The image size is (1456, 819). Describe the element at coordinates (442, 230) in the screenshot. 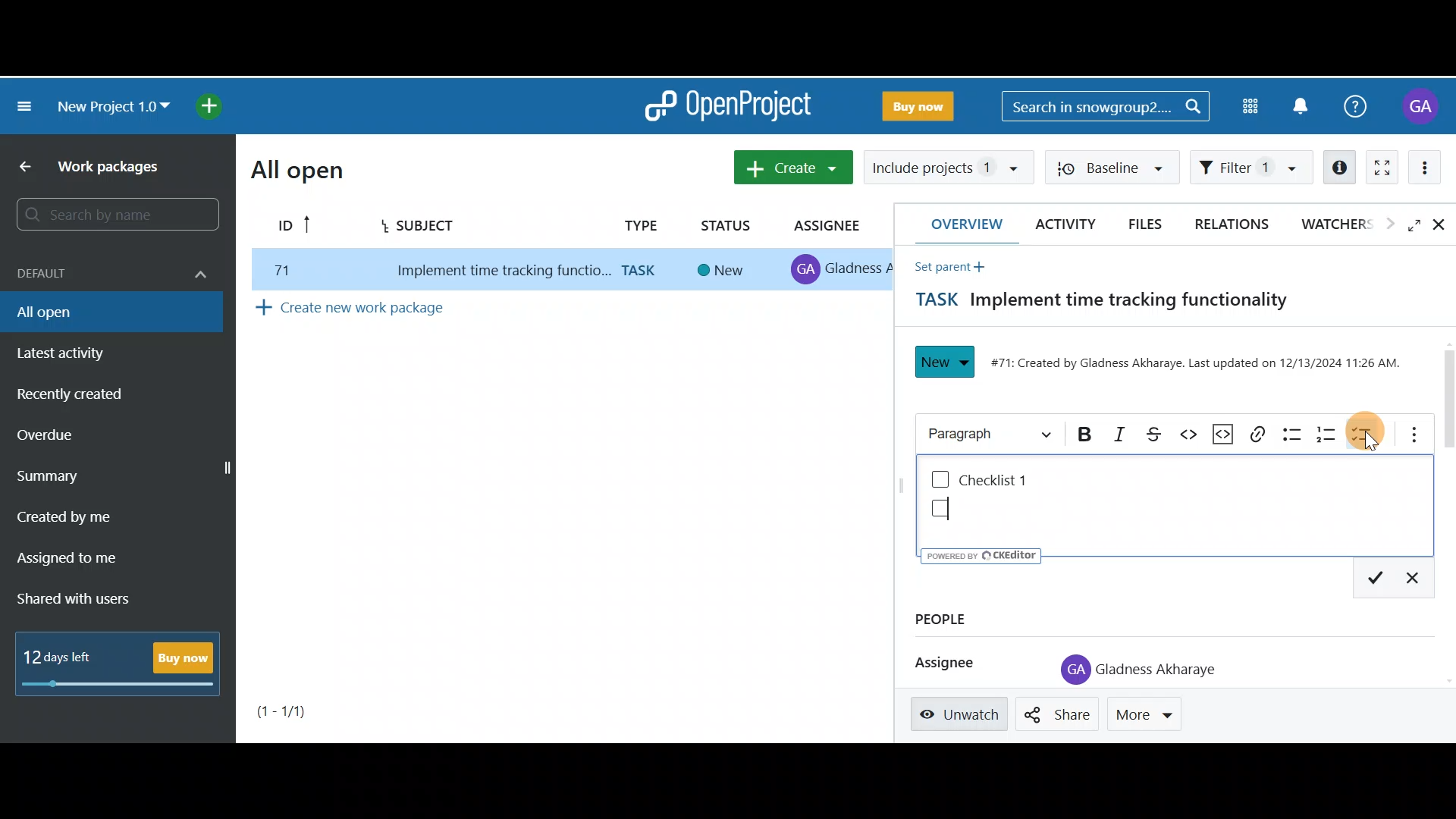

I see `Subject` at that location.